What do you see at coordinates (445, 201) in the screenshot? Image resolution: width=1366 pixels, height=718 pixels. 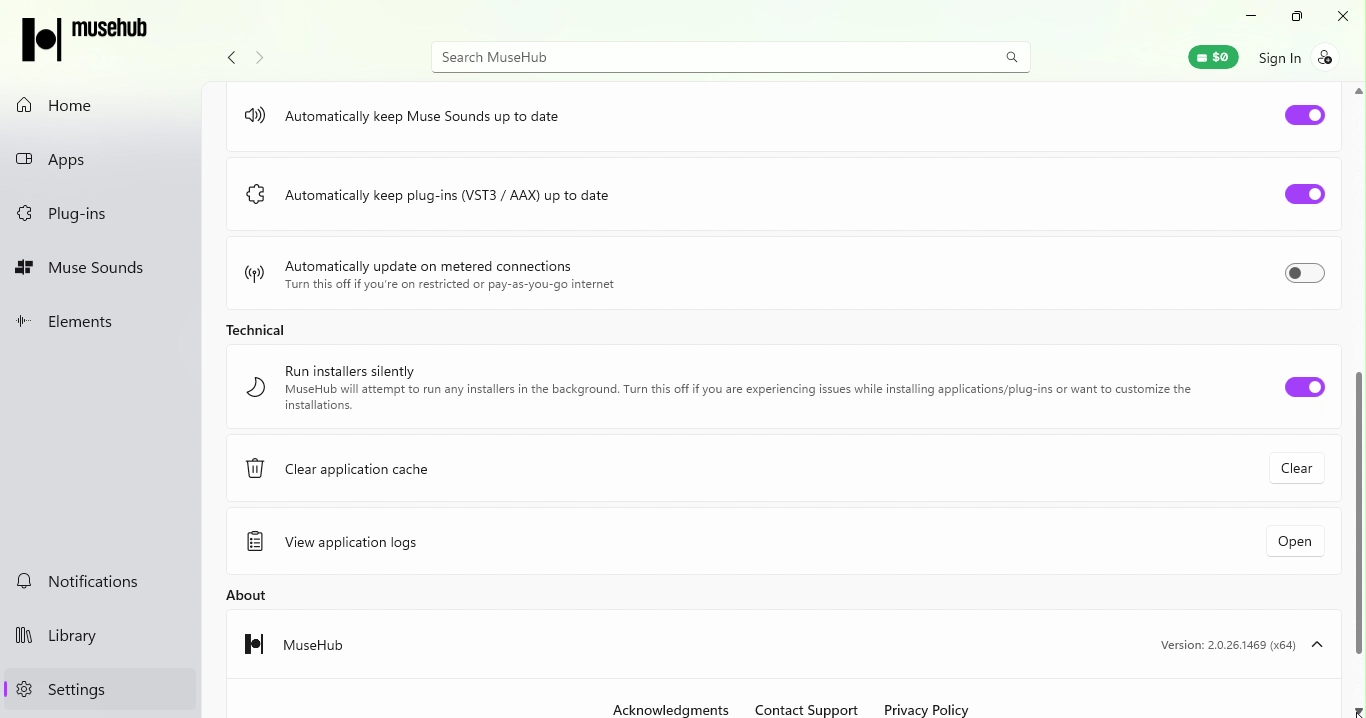 I see `Automatically keep plug-ins (VST3/AAX) up to date` at bounding box center [445, 201].